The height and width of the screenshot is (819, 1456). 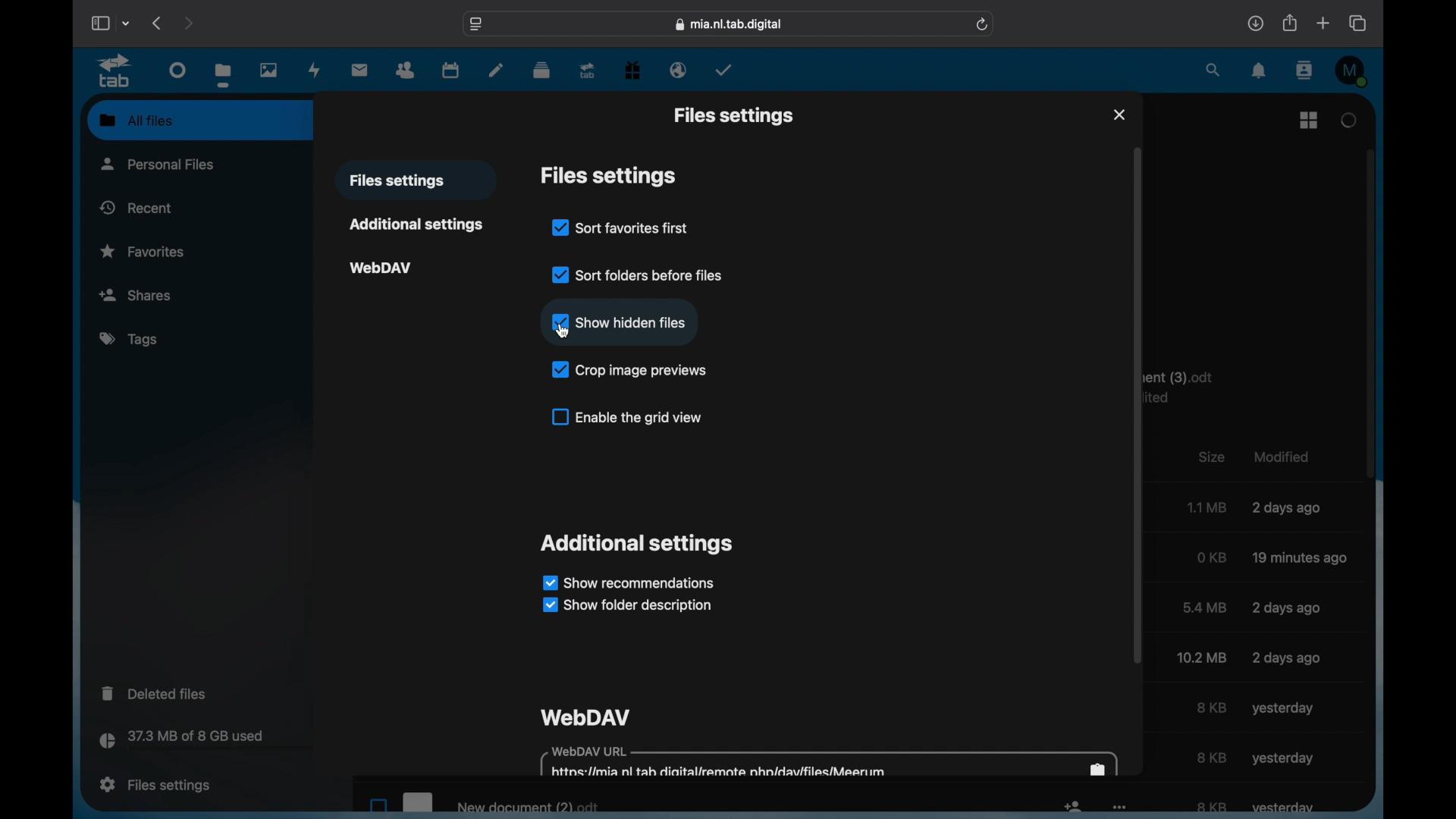 What do you see at coordinates (1212, 457) in the screenshot?
I see `size` at bounding box center [1212, 457].